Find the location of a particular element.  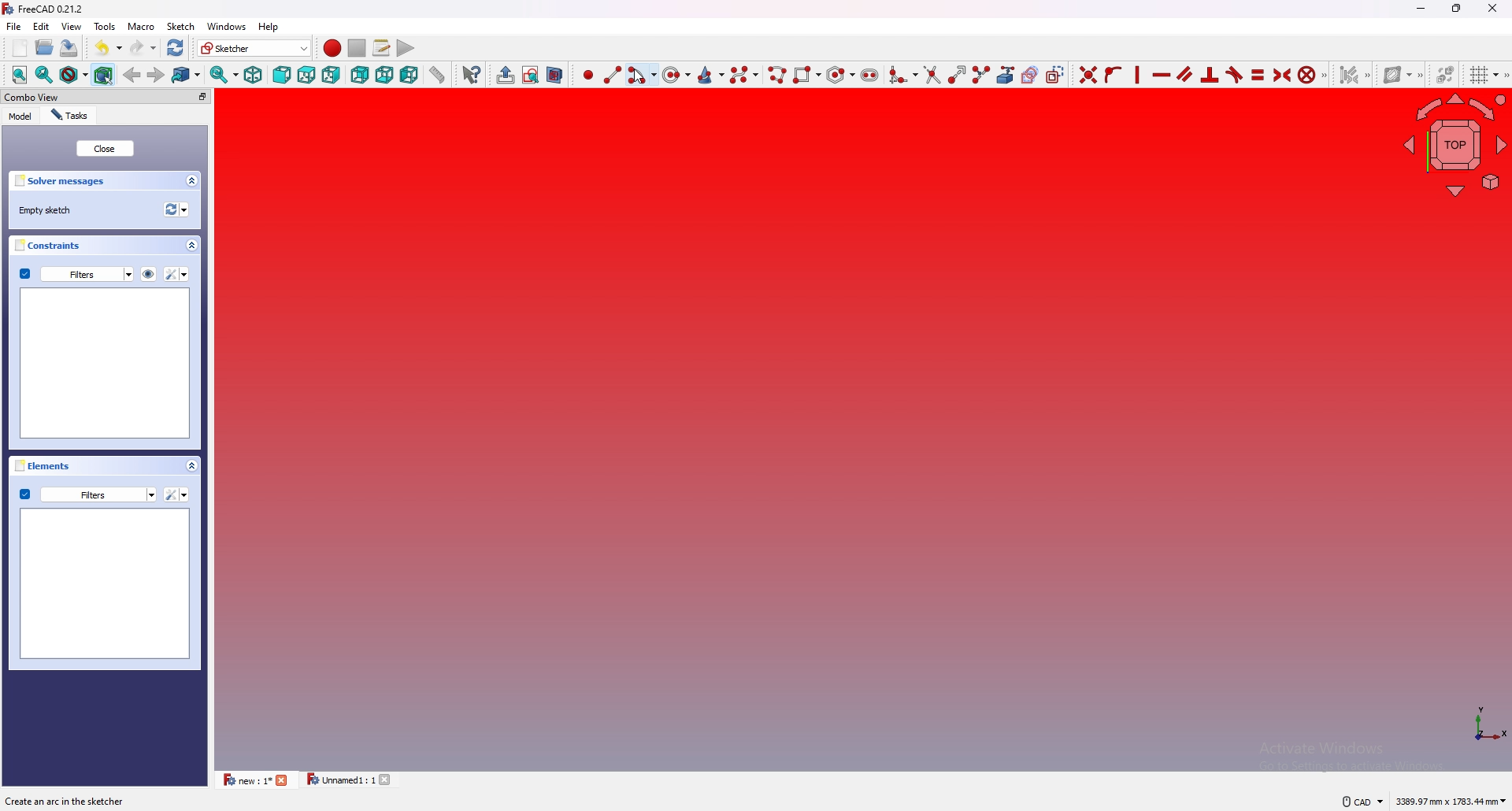

create fillet is located at coordinates (903, 75).